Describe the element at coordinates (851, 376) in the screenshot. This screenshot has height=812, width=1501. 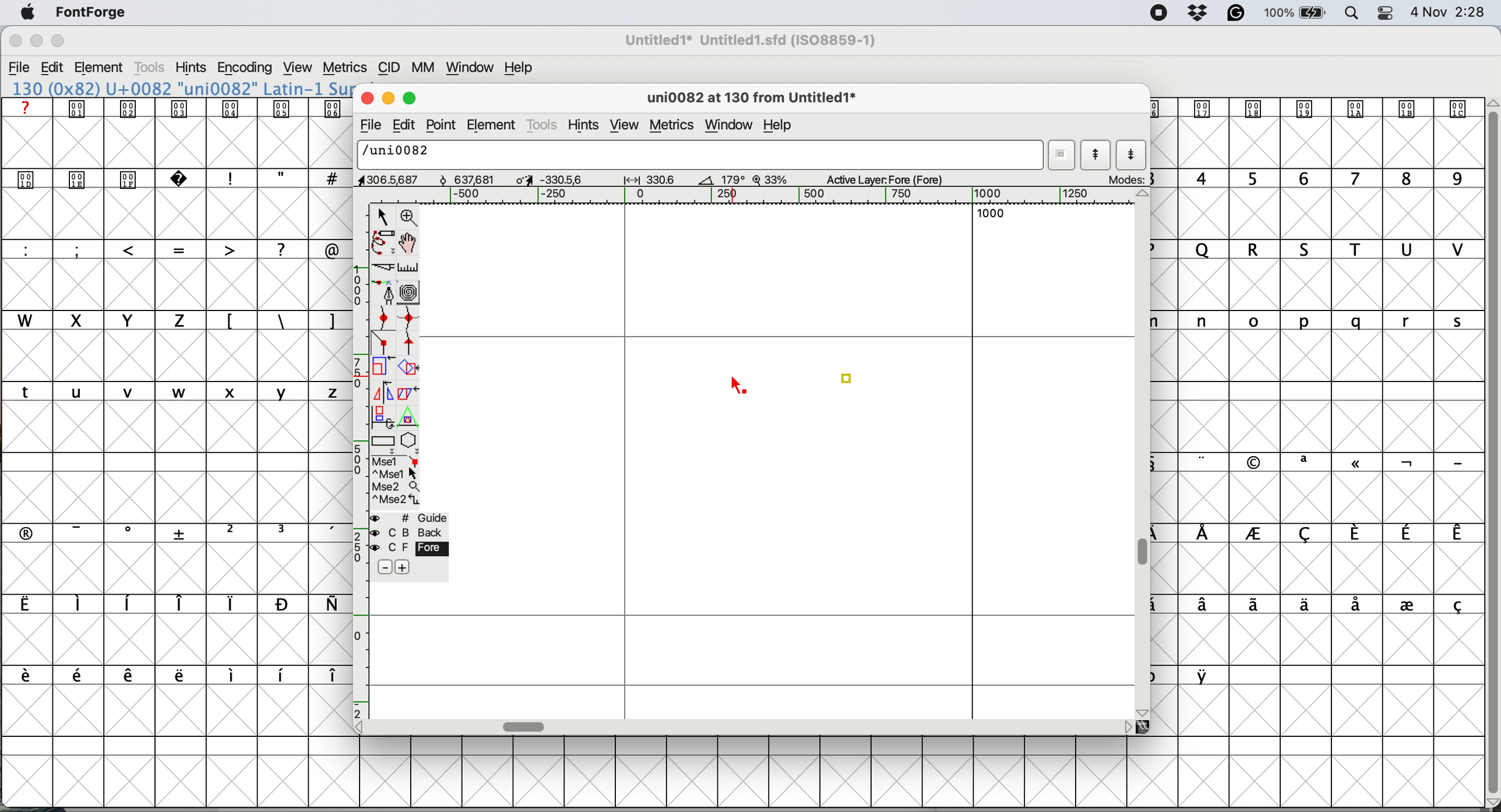
I see `corner point` at that location.